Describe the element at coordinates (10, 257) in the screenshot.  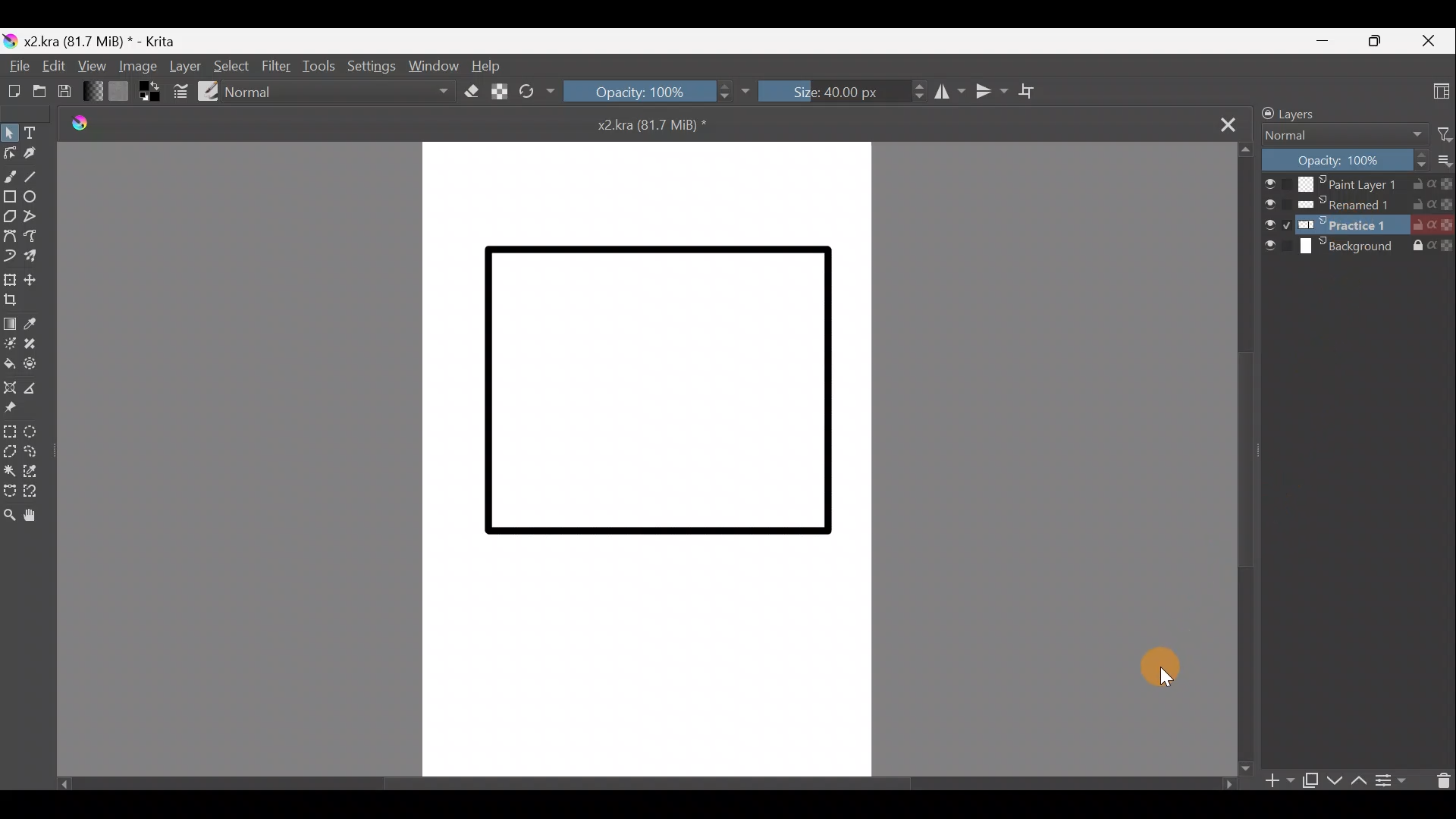
I see `Dynamic brush tool` at that location.